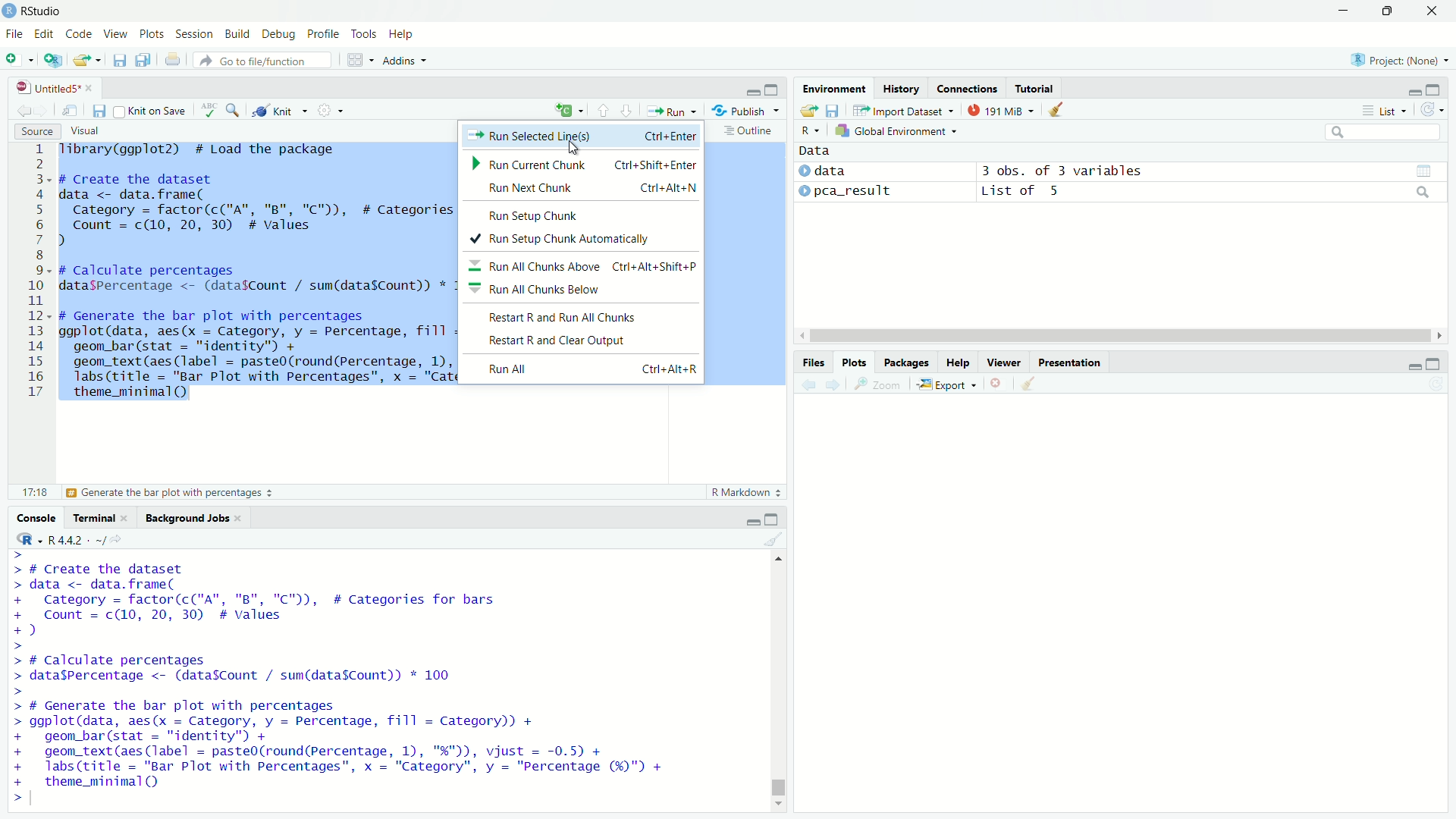 The height and width of the screenshot is (819, 1456). Describe the element at coordinates (107, 492) in the screenshot. I see `calculate percentages` at that location.